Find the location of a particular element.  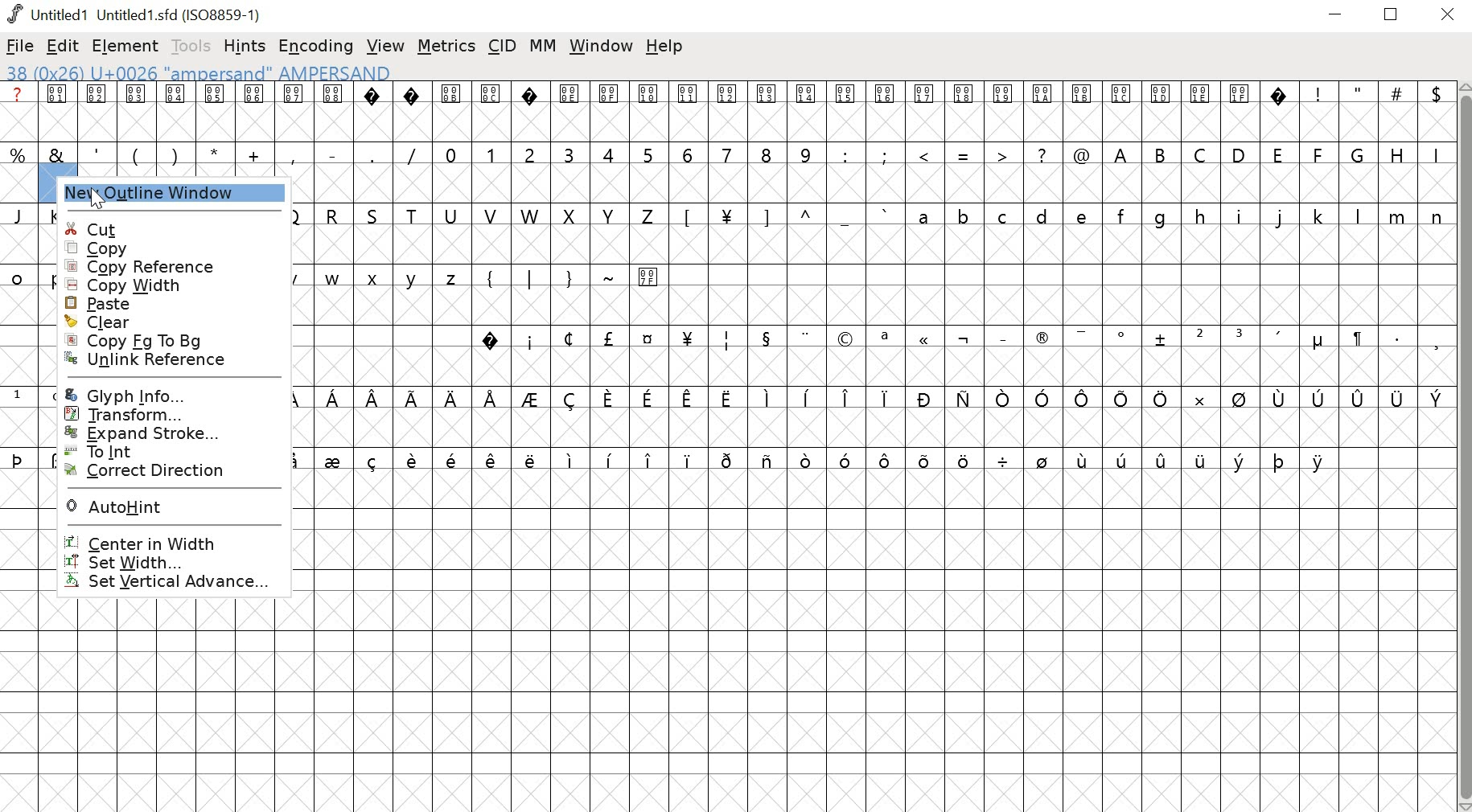

Z is located at coordinates (650, 216).